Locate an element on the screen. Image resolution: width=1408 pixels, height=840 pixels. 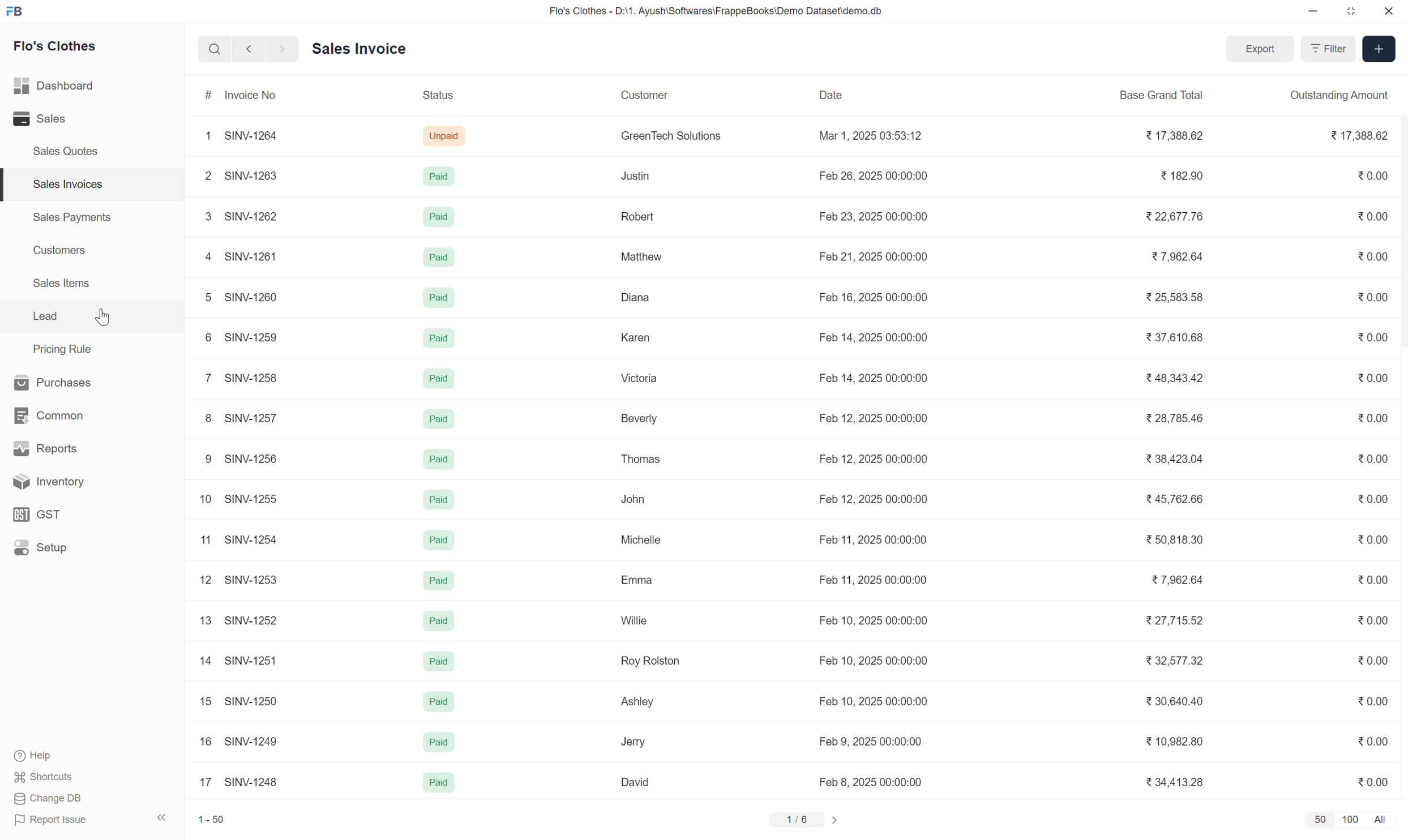
SINV-1264 is located at coordinates (252, 135).